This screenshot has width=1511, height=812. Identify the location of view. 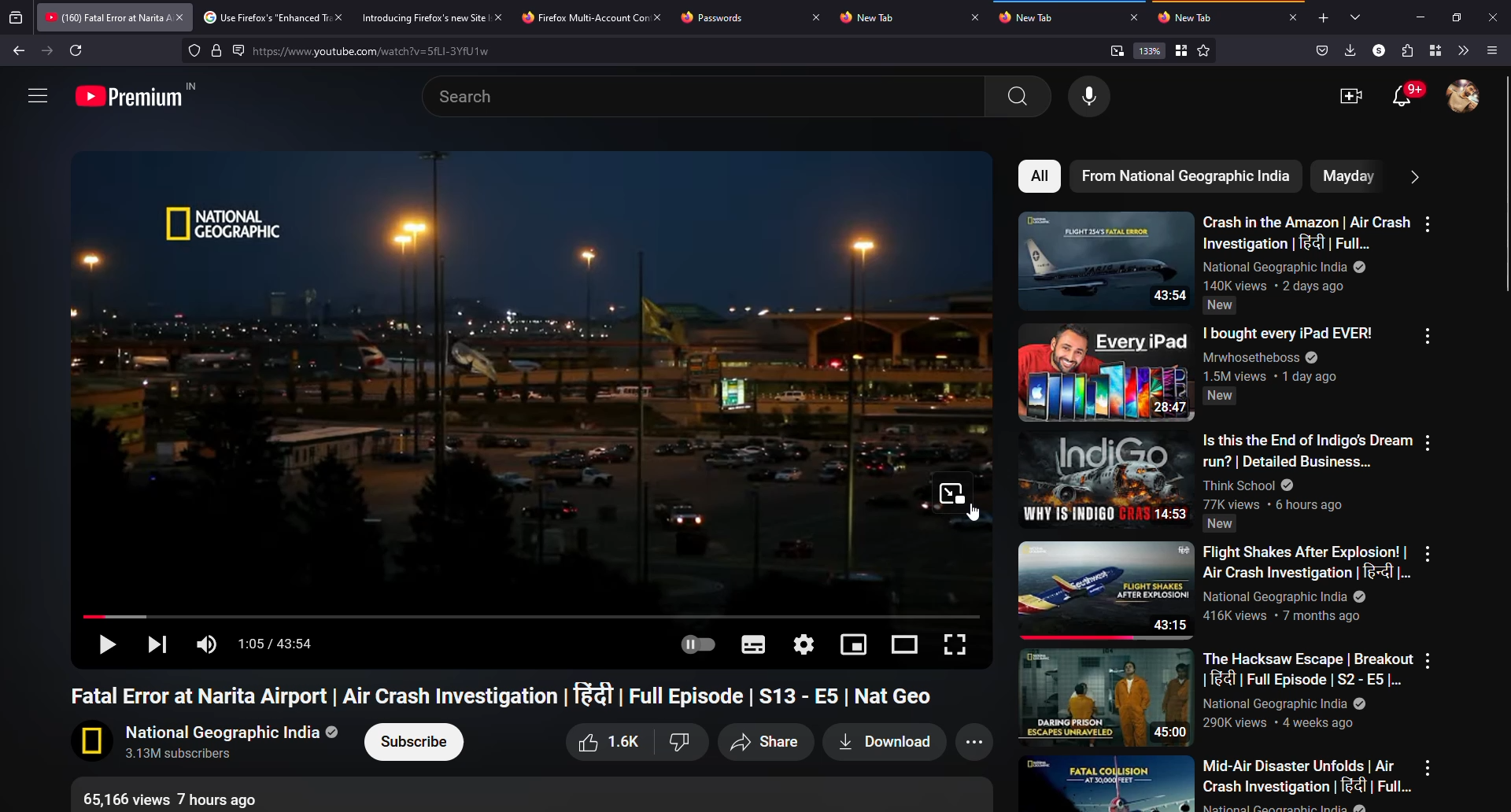
(855, 643).